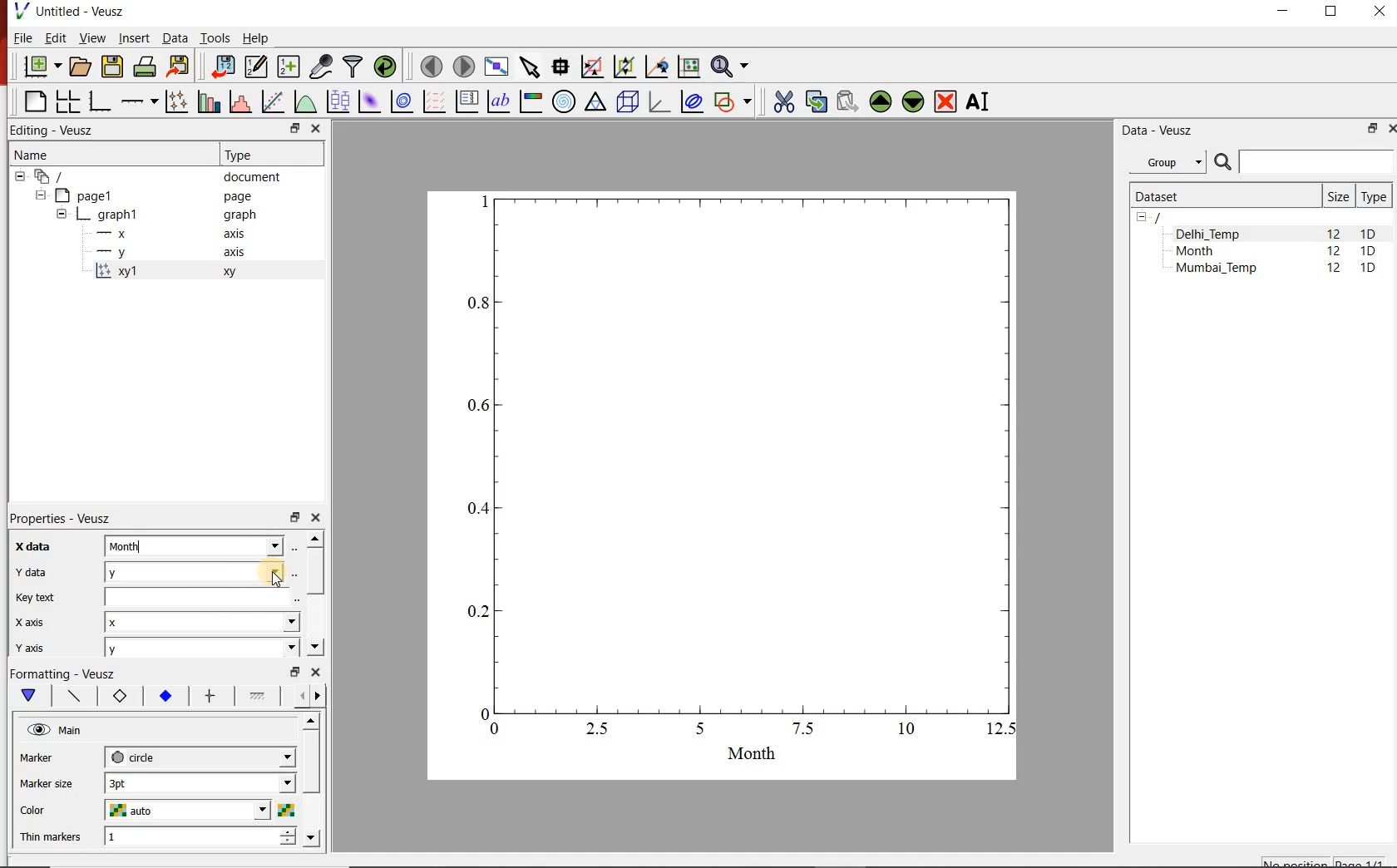 The height and width of the screenshot is (868, 1397). Describe the element at coordinates (1211, 234) in the screenshot. I see `Delhi_Temp` at that location.